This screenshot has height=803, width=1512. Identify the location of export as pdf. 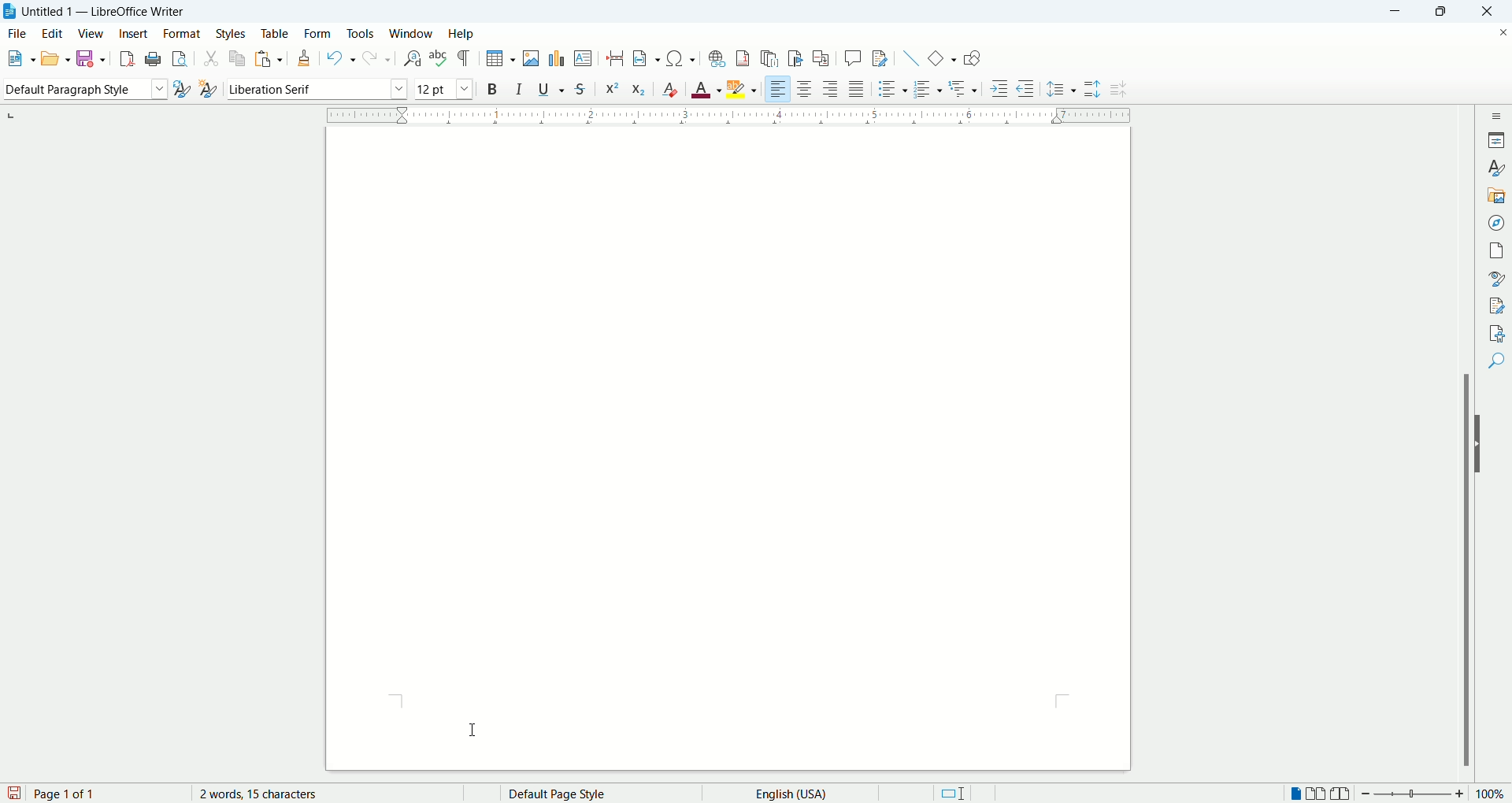
(124, 58).